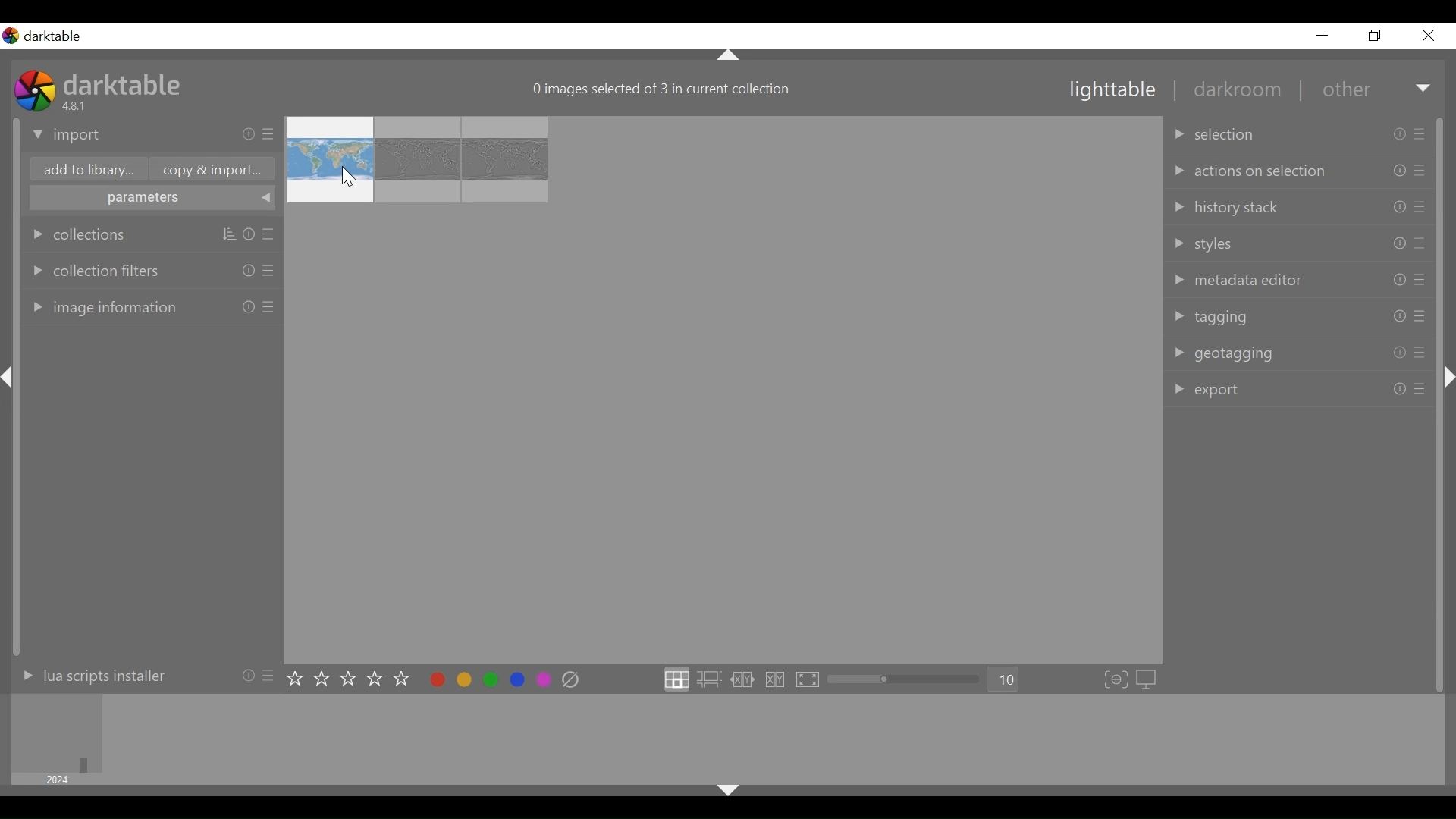  What do you see at coordinates (1445, 388) in the screenshot?
I see `` at bounding box center [1445, 388].